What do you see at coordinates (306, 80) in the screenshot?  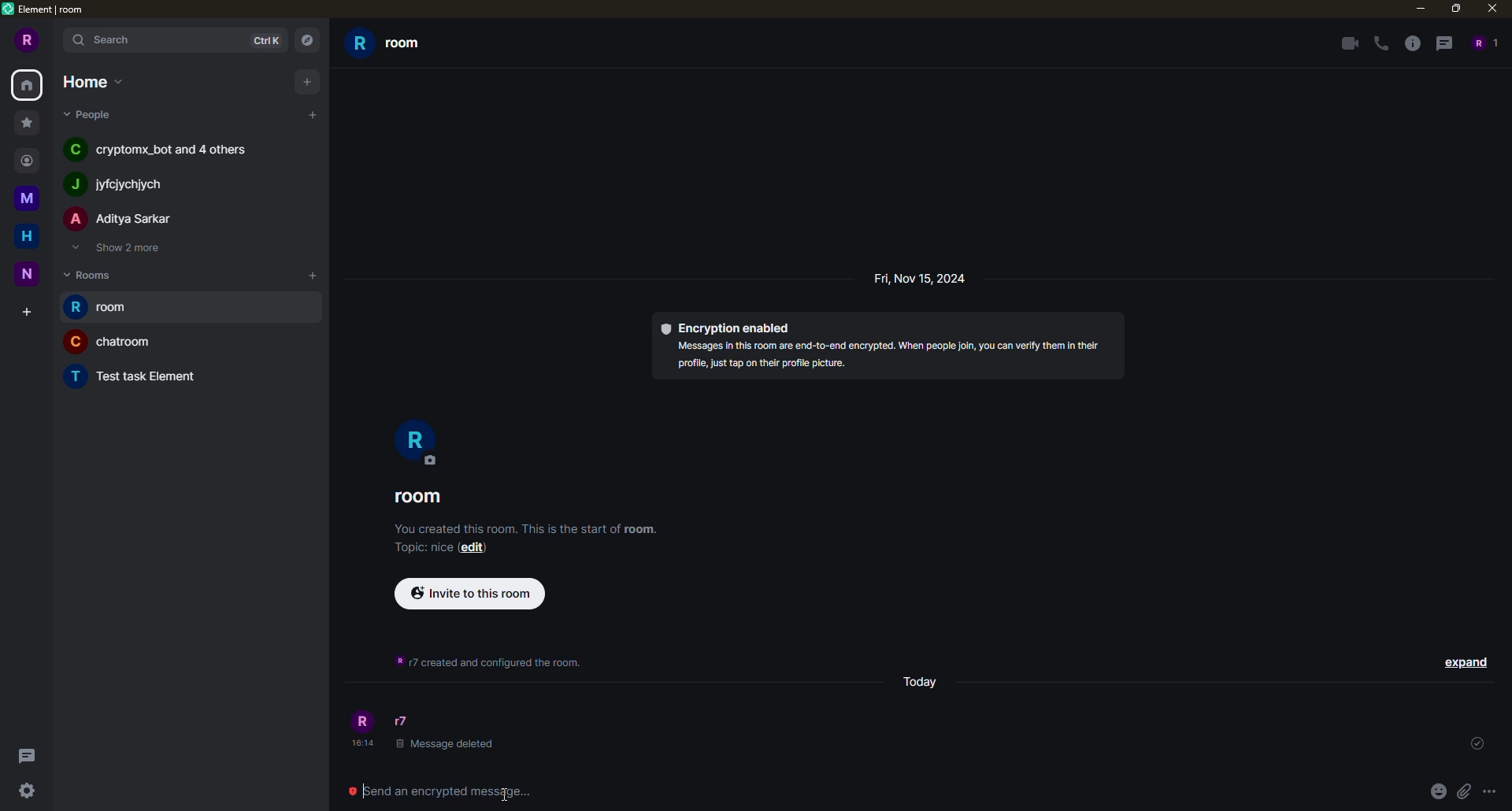 I see `add` at bounding box center [306, 80].